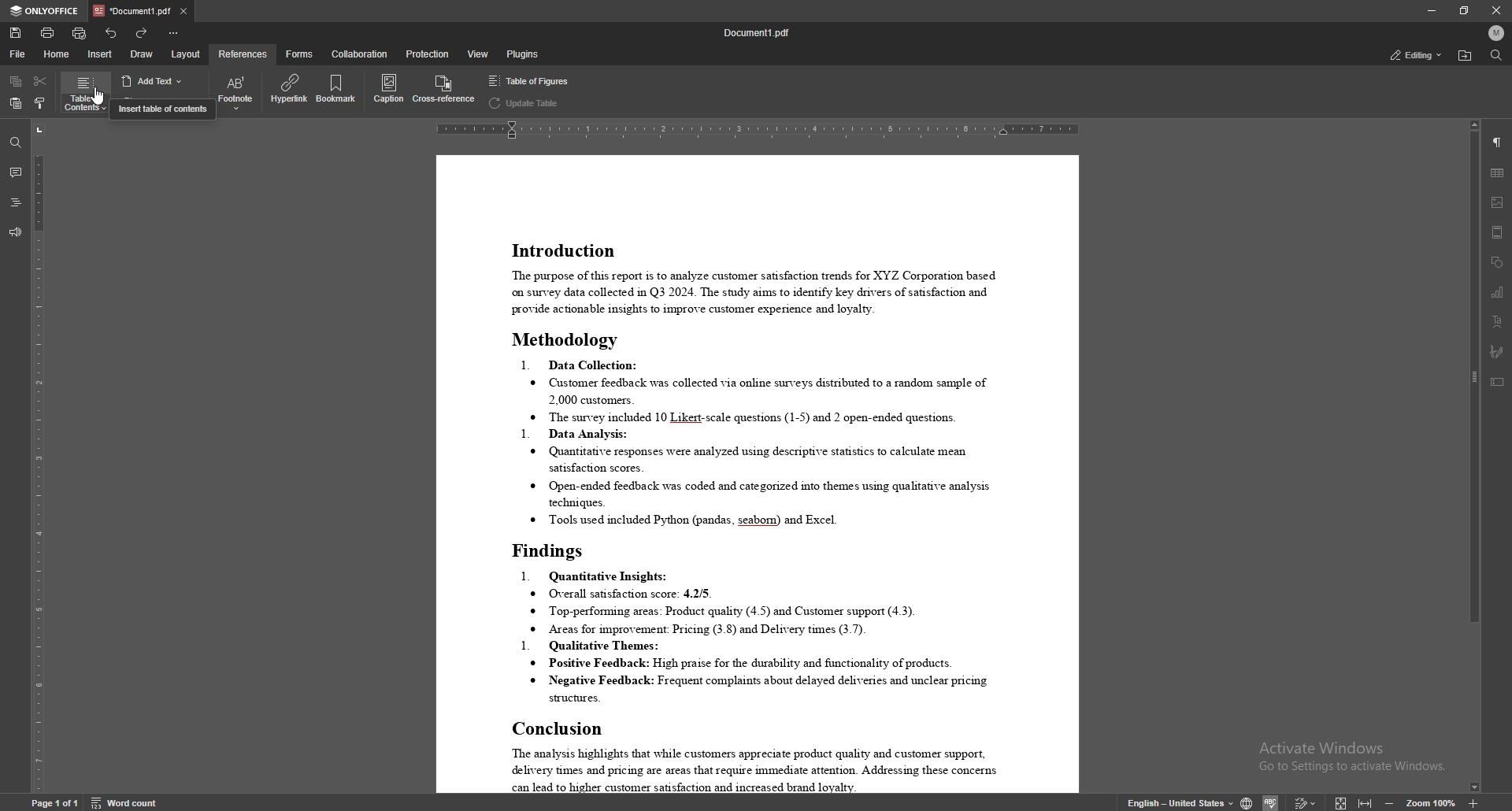  Describe the element at coordinates (100, 55) in the screenshot. I see `insert` at that location.